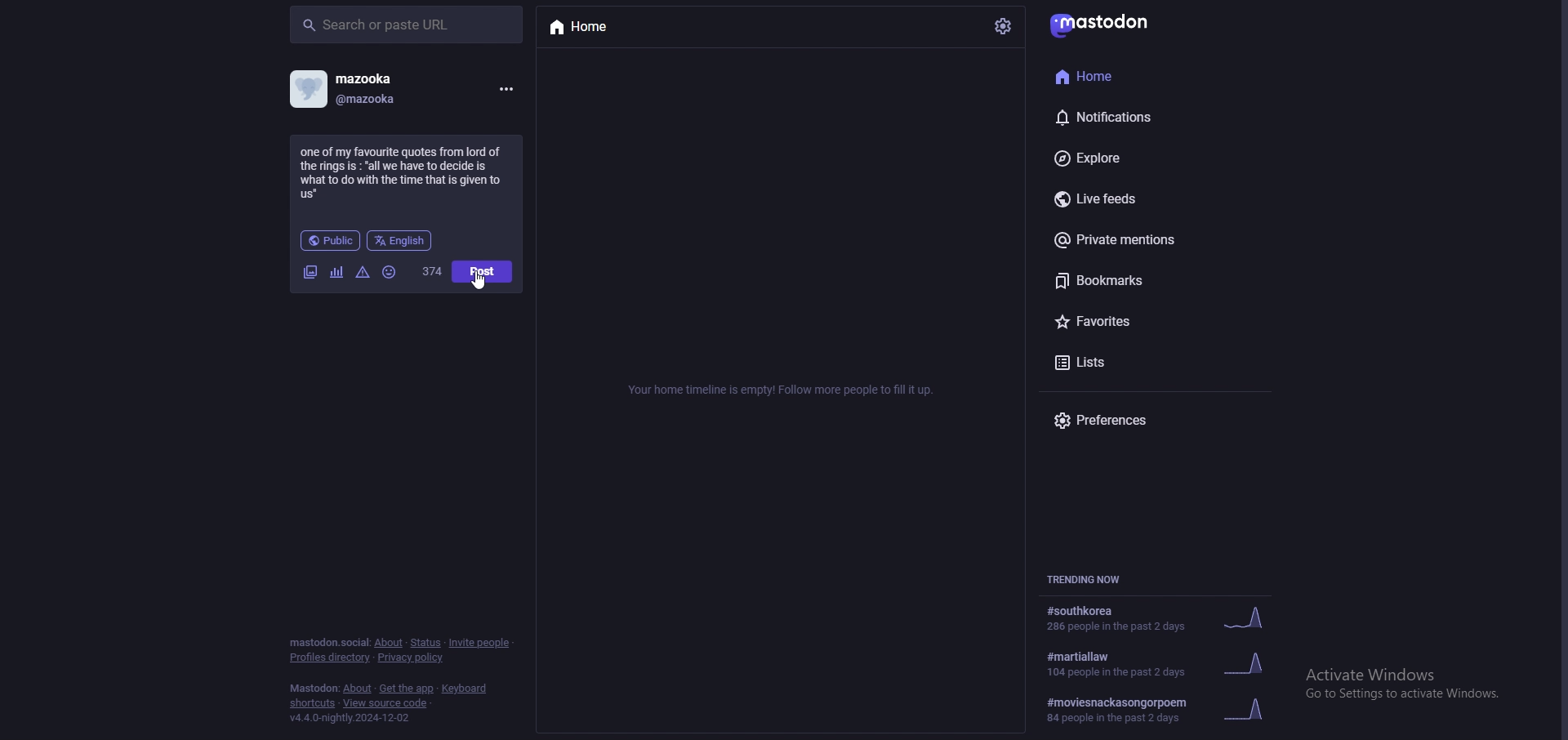  I want to click on home, so click(1134, 74).